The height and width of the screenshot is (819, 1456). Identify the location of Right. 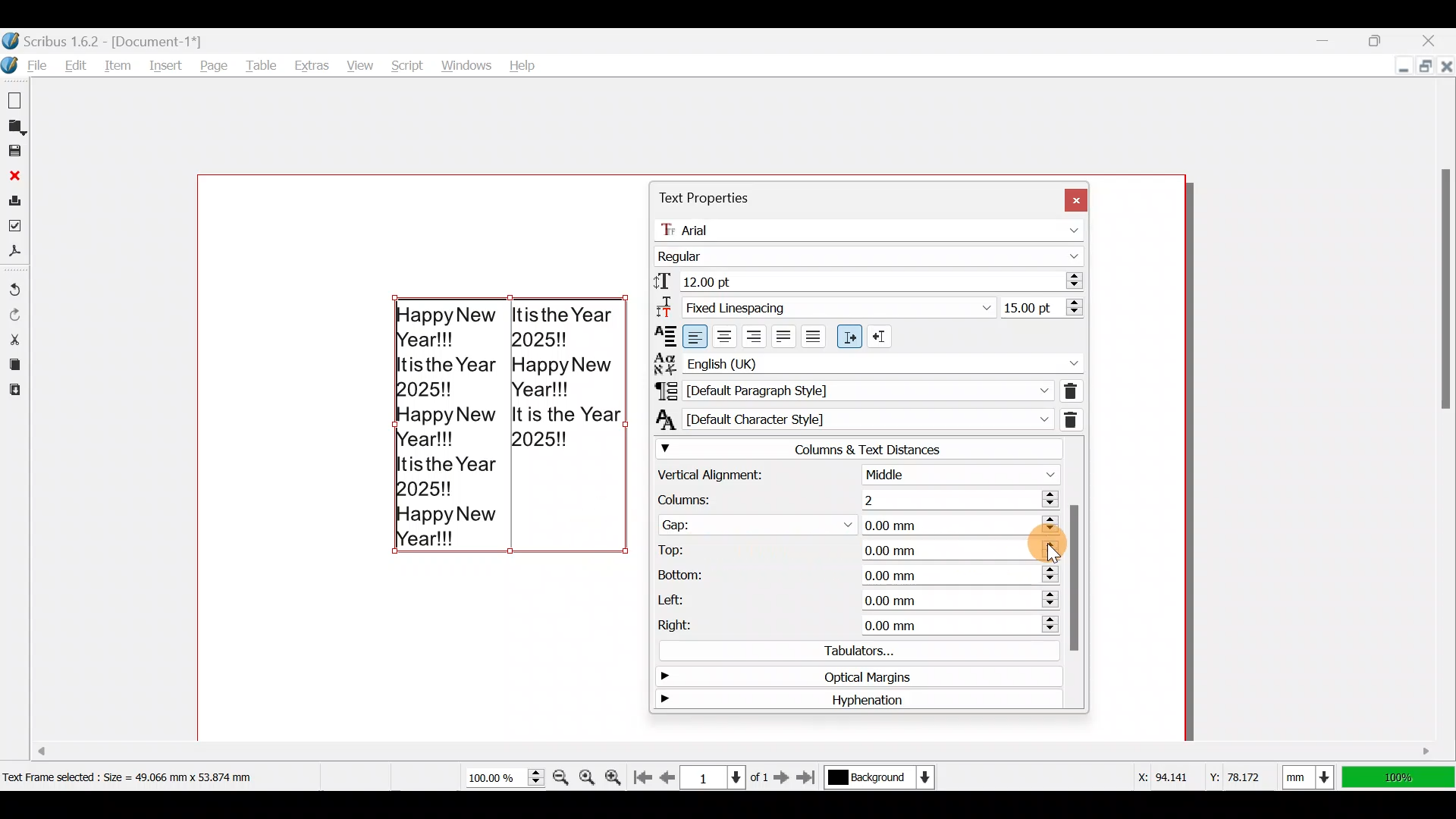
(852, 627).